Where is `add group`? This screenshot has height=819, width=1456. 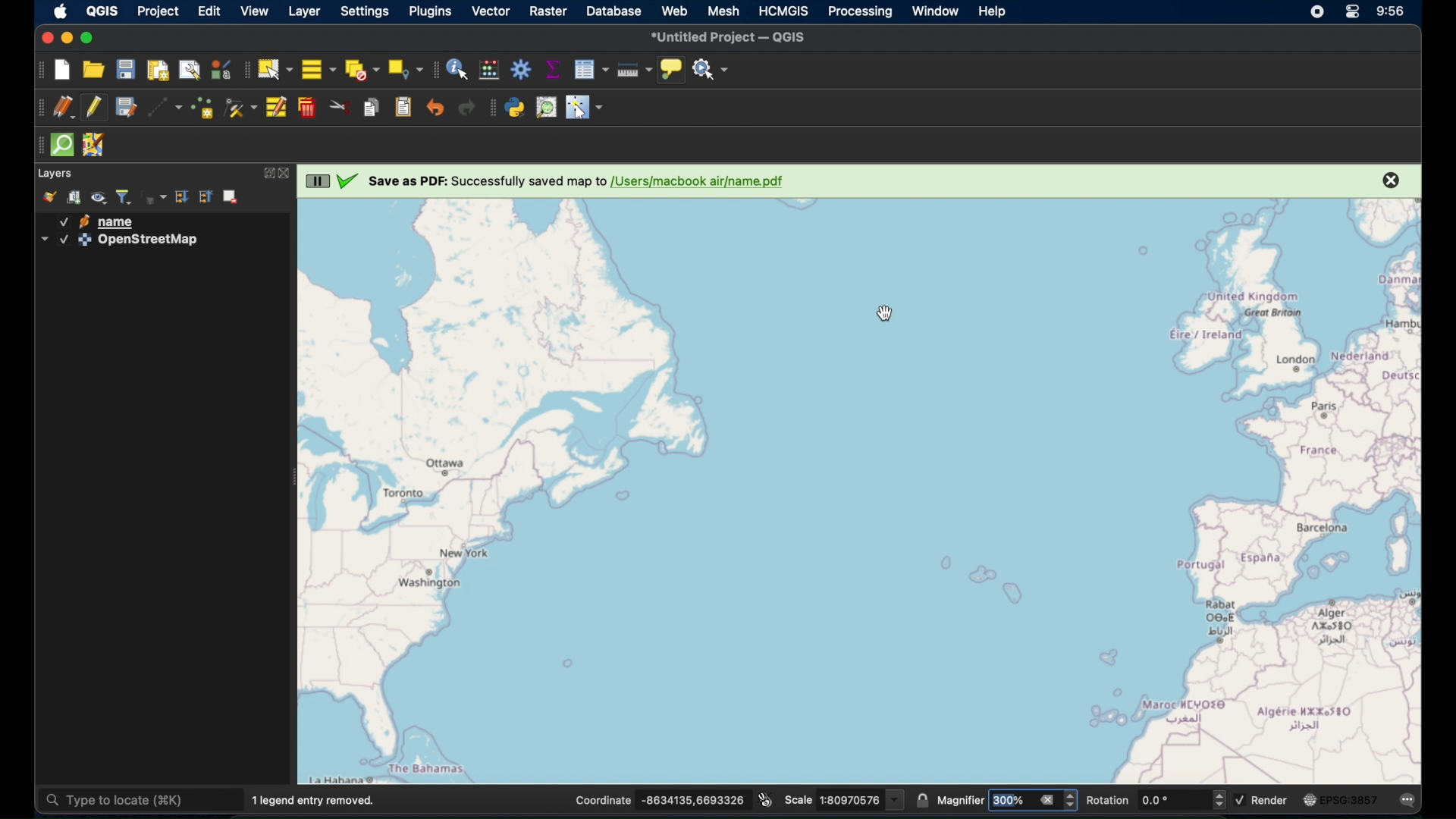
add group is located at coordinates (77, 197).